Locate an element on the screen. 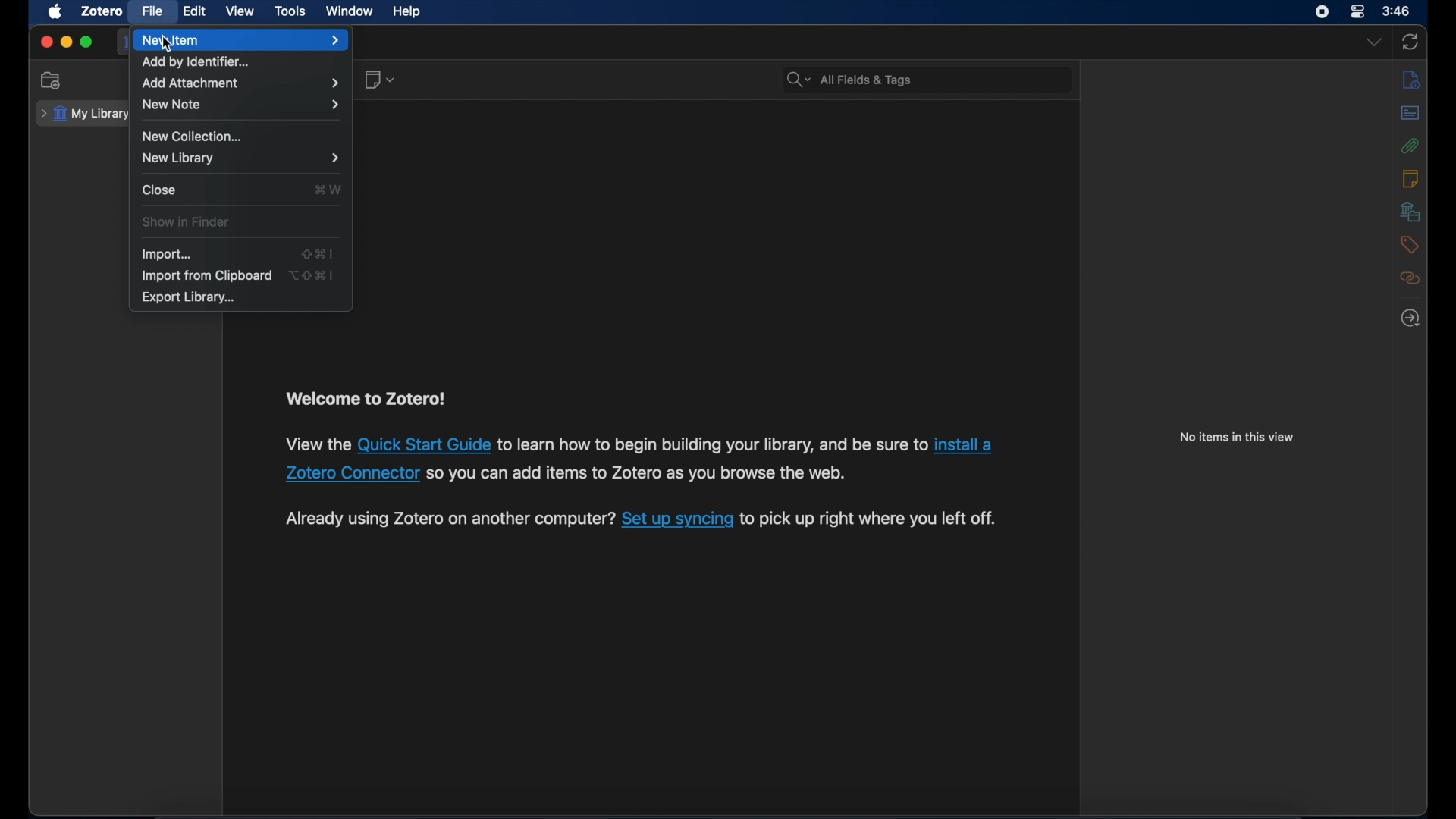 Image resolution: width=1456 pixels, height=819 pixels. shortcut is located at coordinates (317, 253).